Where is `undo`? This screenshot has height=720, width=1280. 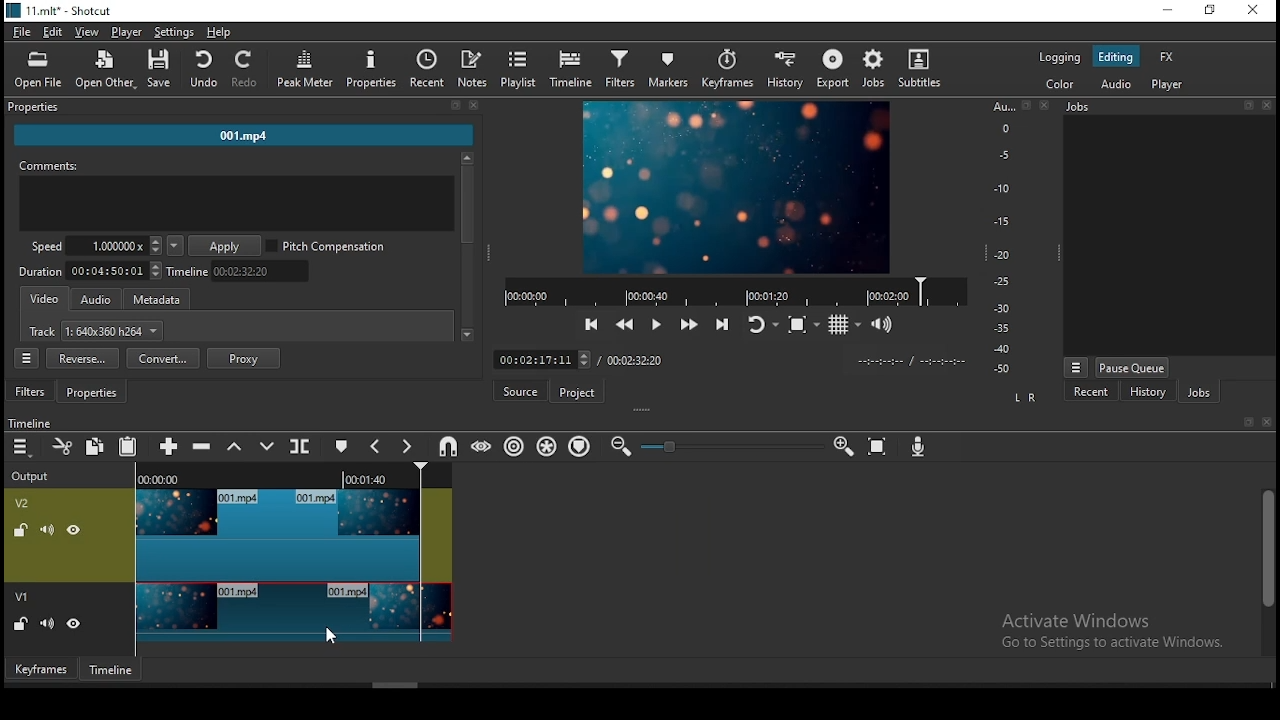
undo is located at coordinates (203, 70).